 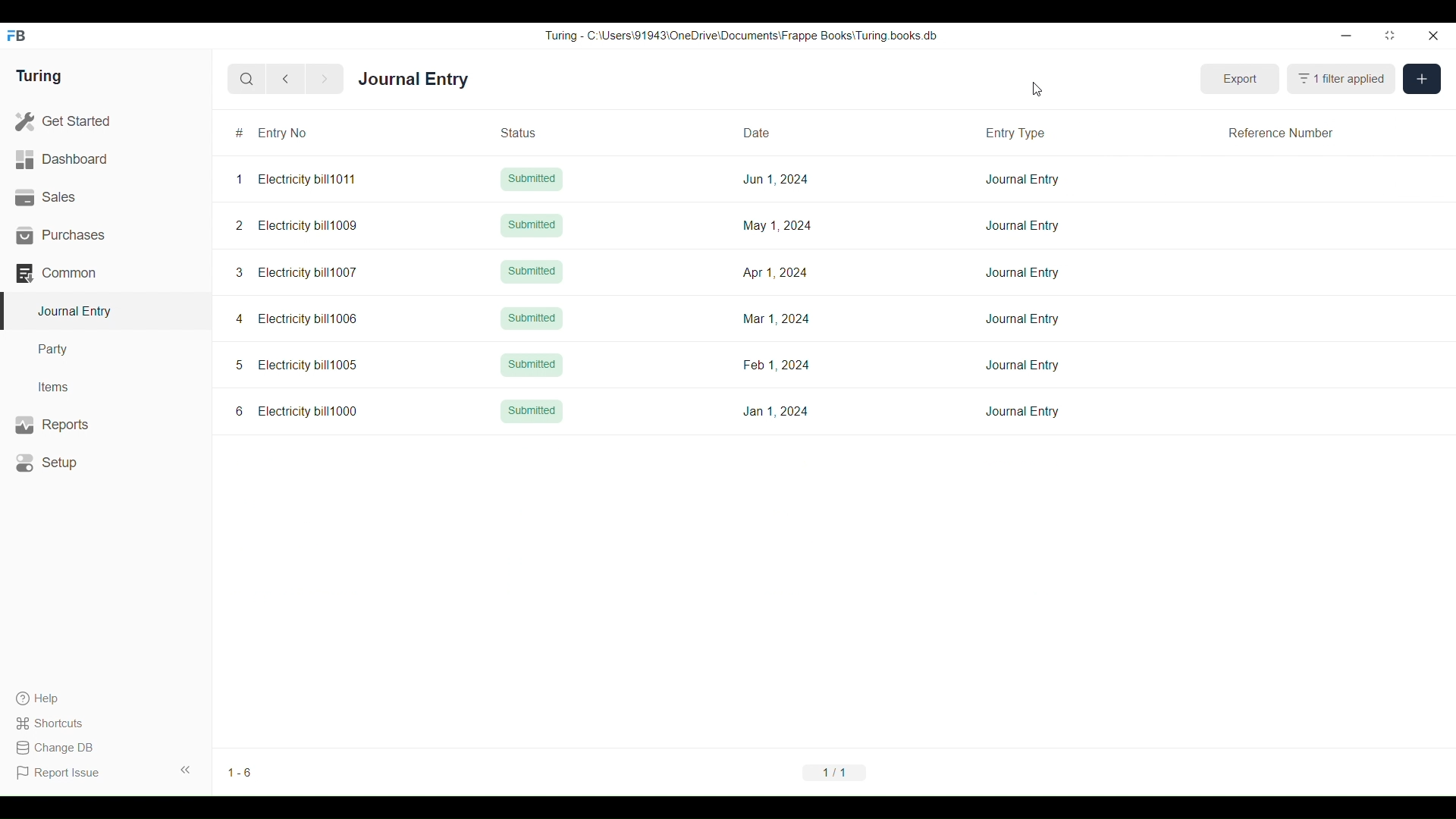 I want to click on Jan 1, 2024, so click(x=776, y=411).